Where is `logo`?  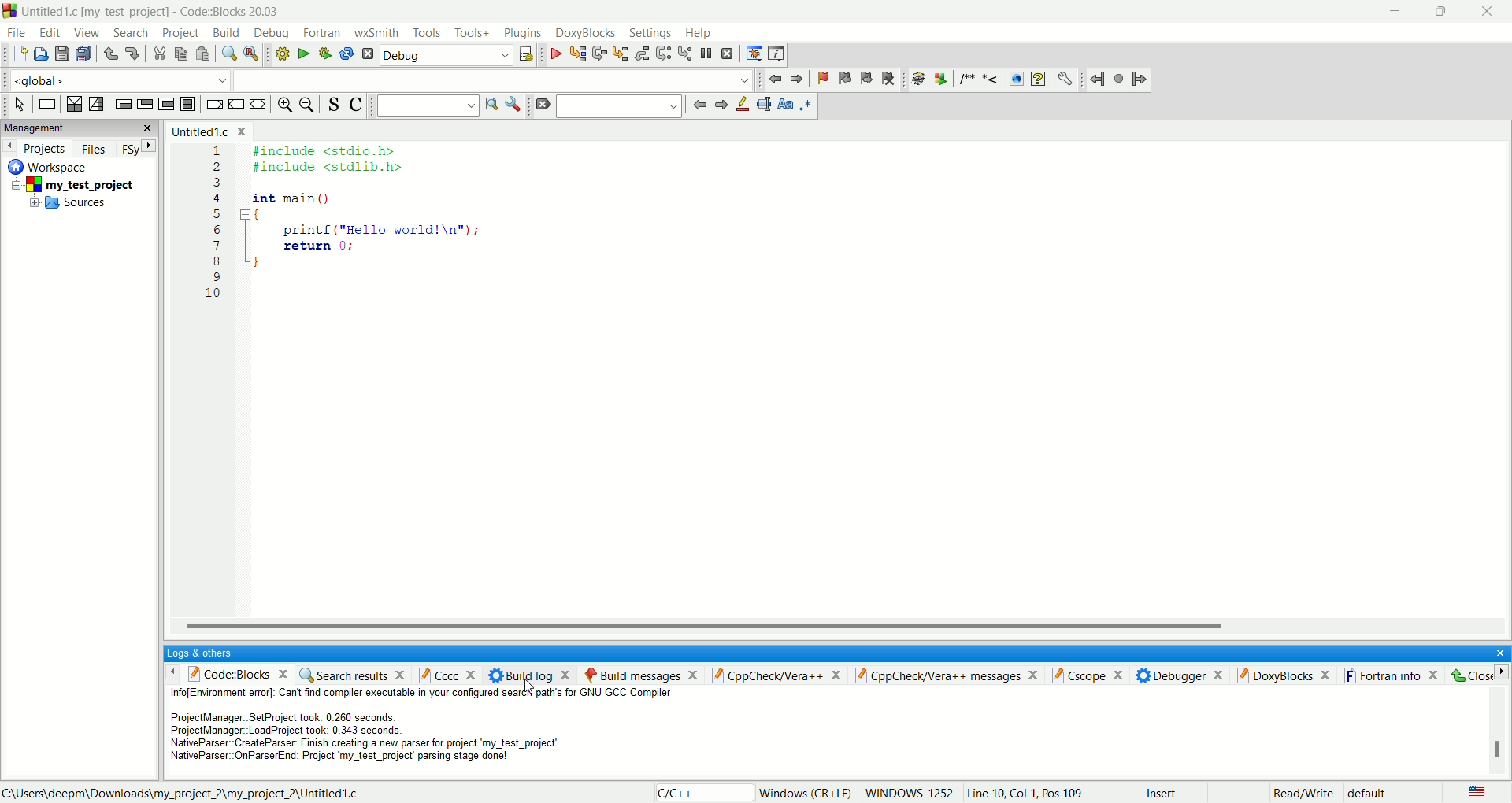 logo is located at coordinates (9, 11).